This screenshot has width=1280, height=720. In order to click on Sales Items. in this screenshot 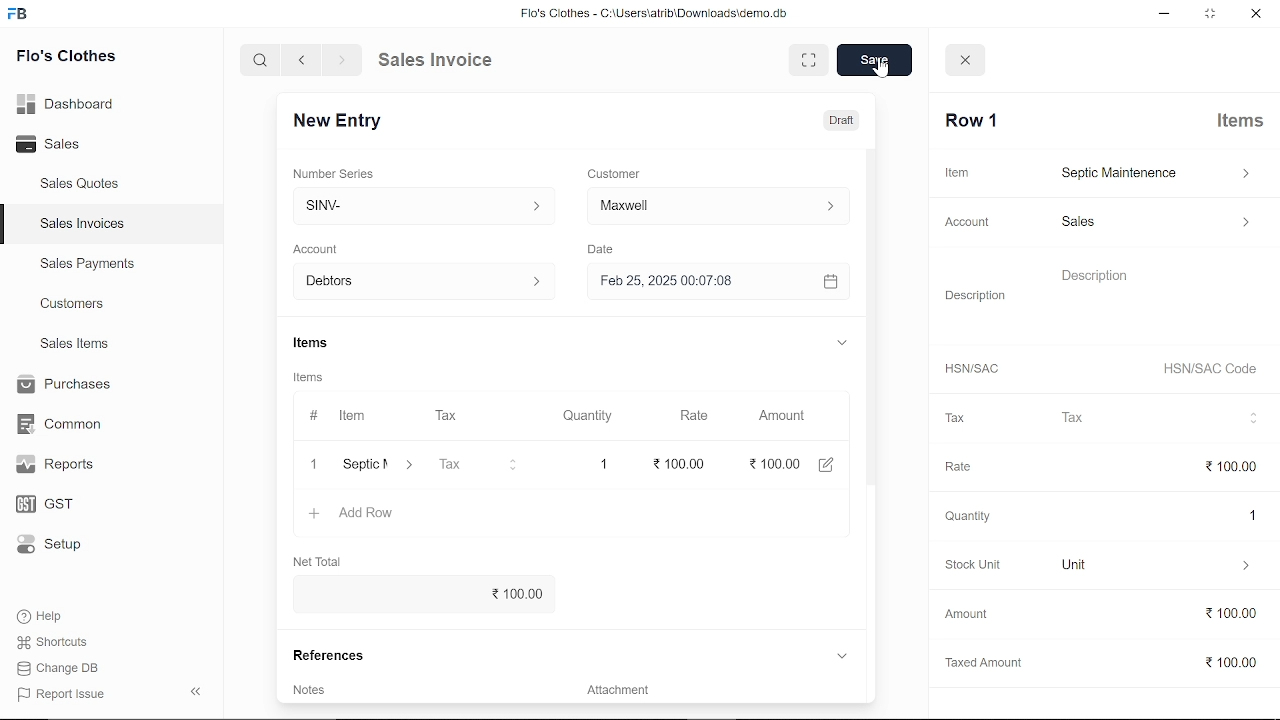, I will do `click(76, 345)`.